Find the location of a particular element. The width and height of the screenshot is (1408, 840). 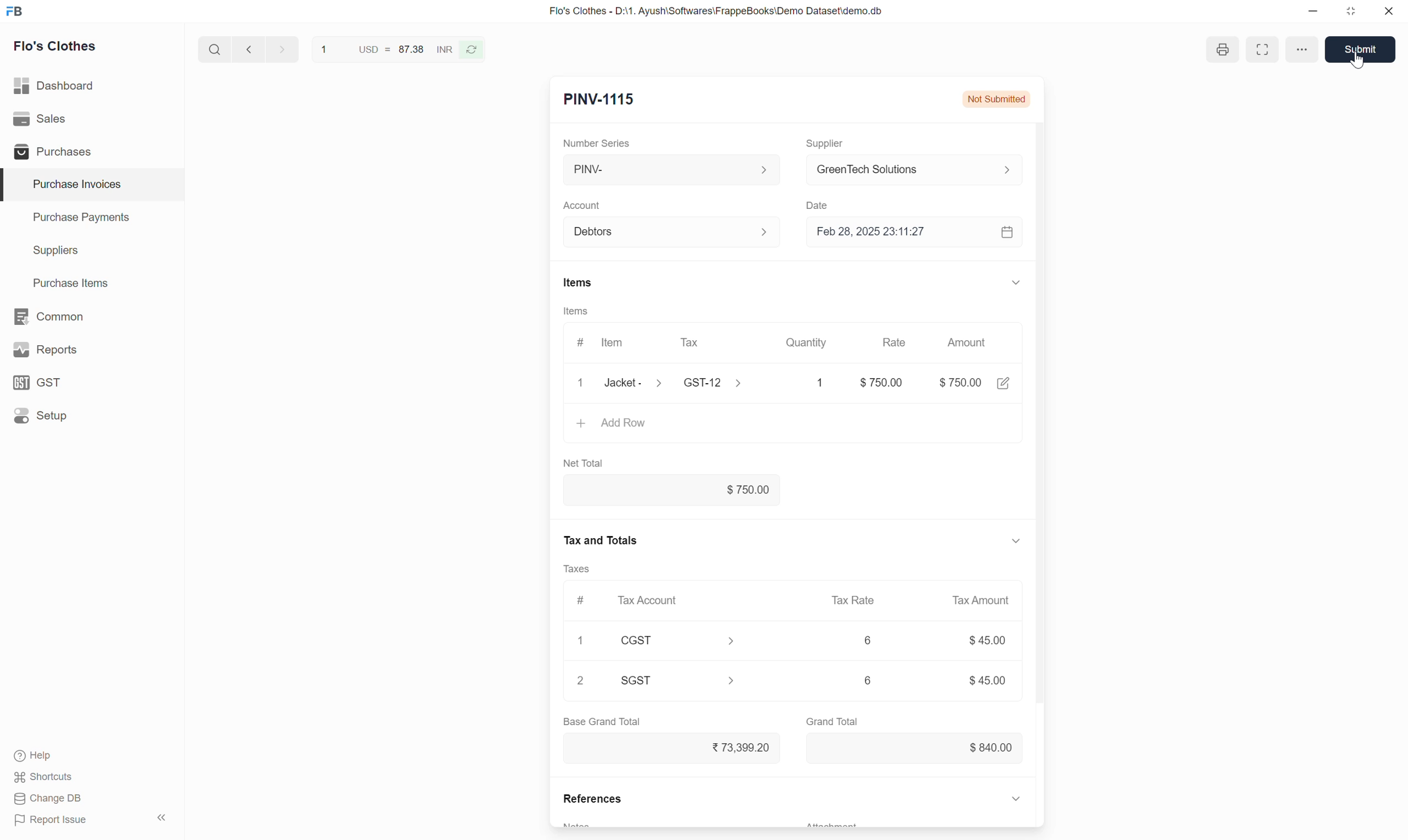

Close is located at coordinates (1389, 11).